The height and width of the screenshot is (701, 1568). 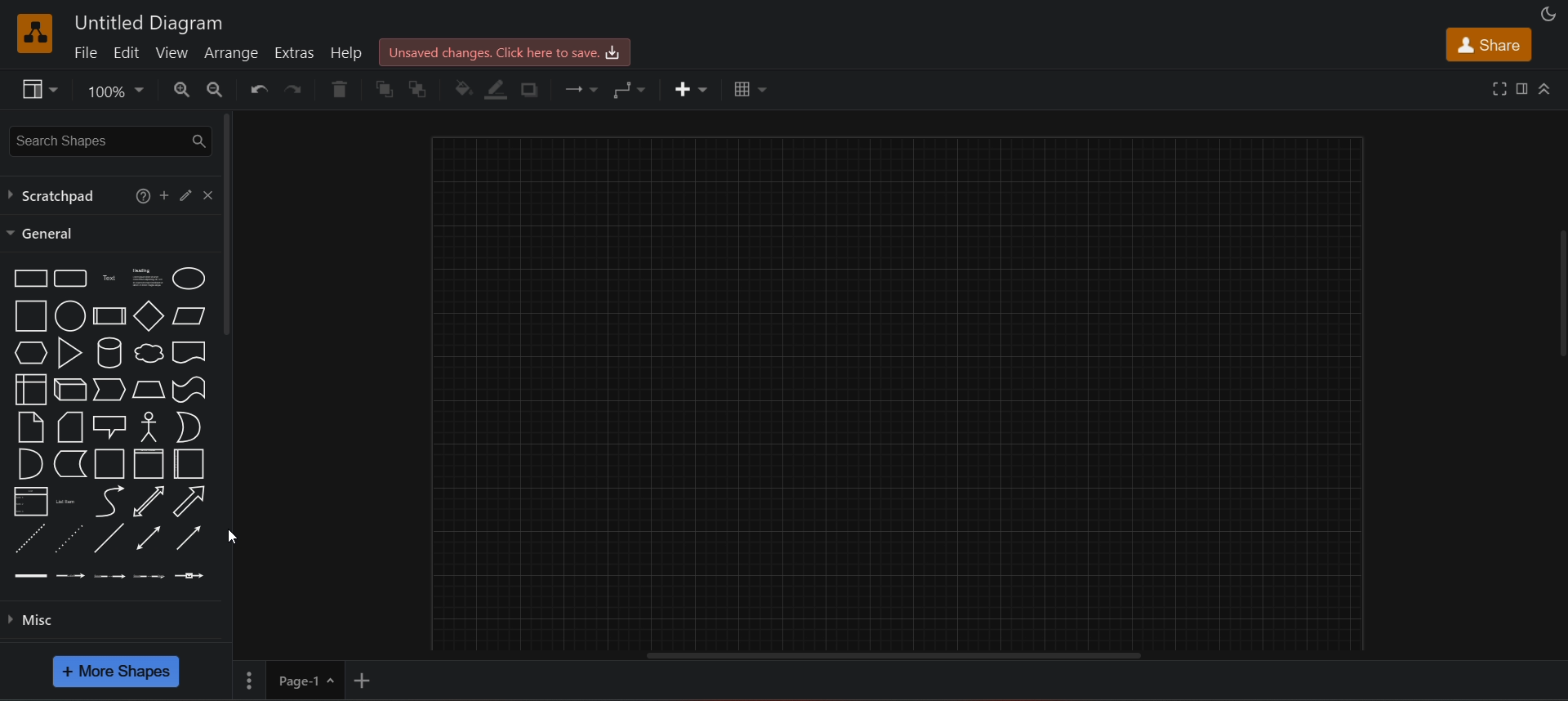 What do you see at coordinates (233, 537) in the screenshot?
I see `cursor` at bounding box center [233, 537].